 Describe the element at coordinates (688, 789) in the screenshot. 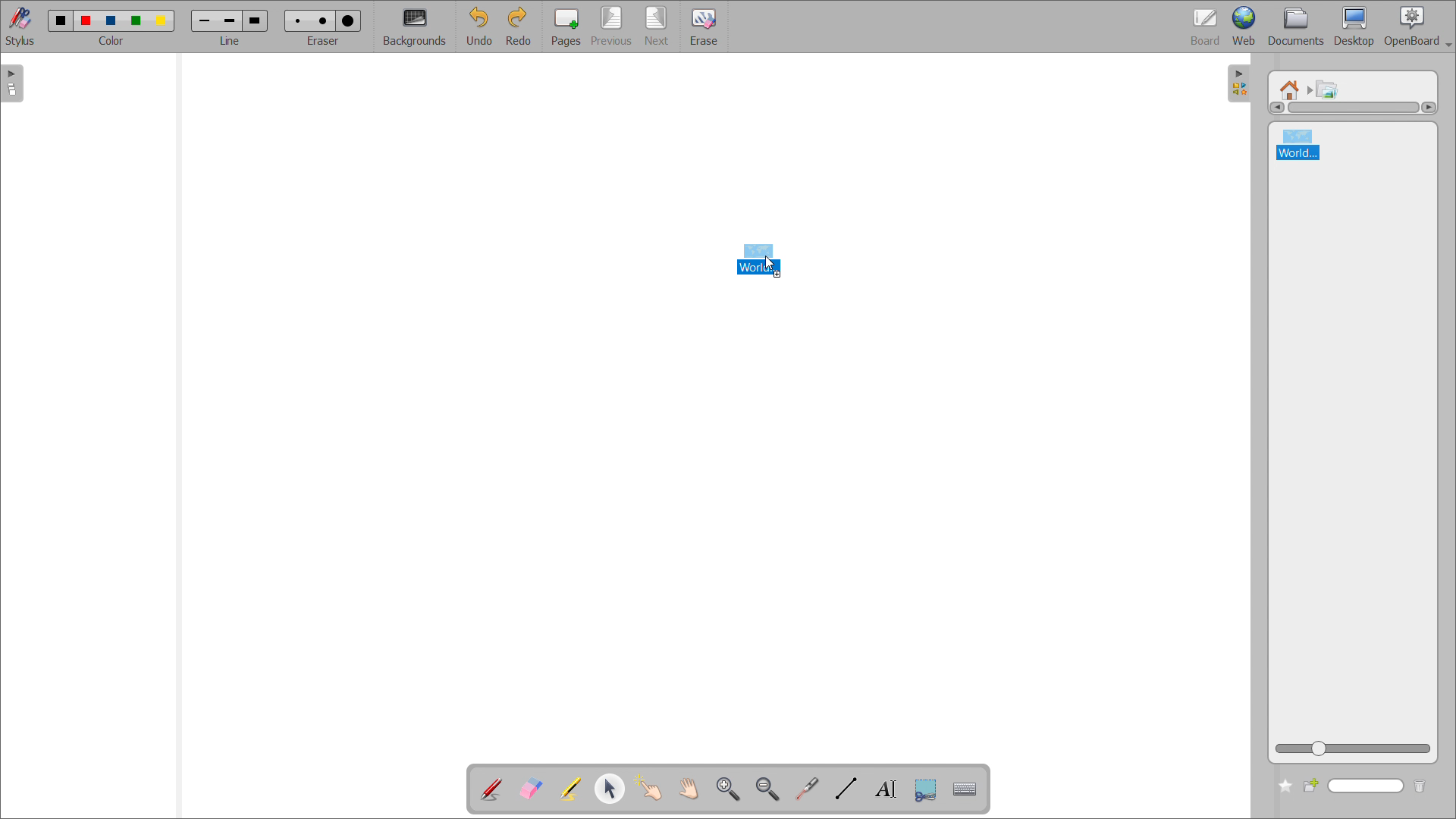

I see `scroll page` at that location.